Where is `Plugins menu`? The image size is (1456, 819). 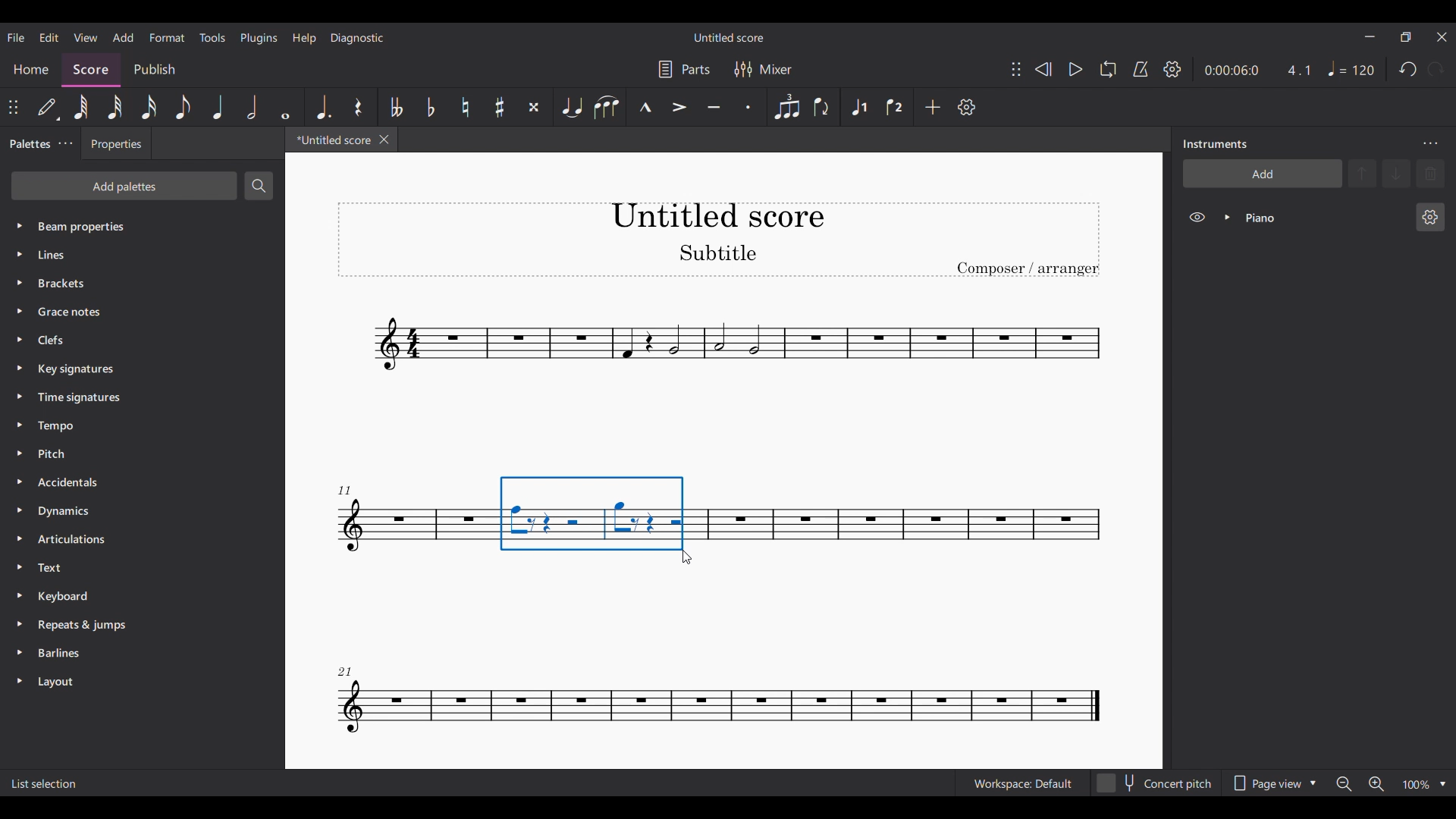
Plugins menu is located at coordinates (259, 39).